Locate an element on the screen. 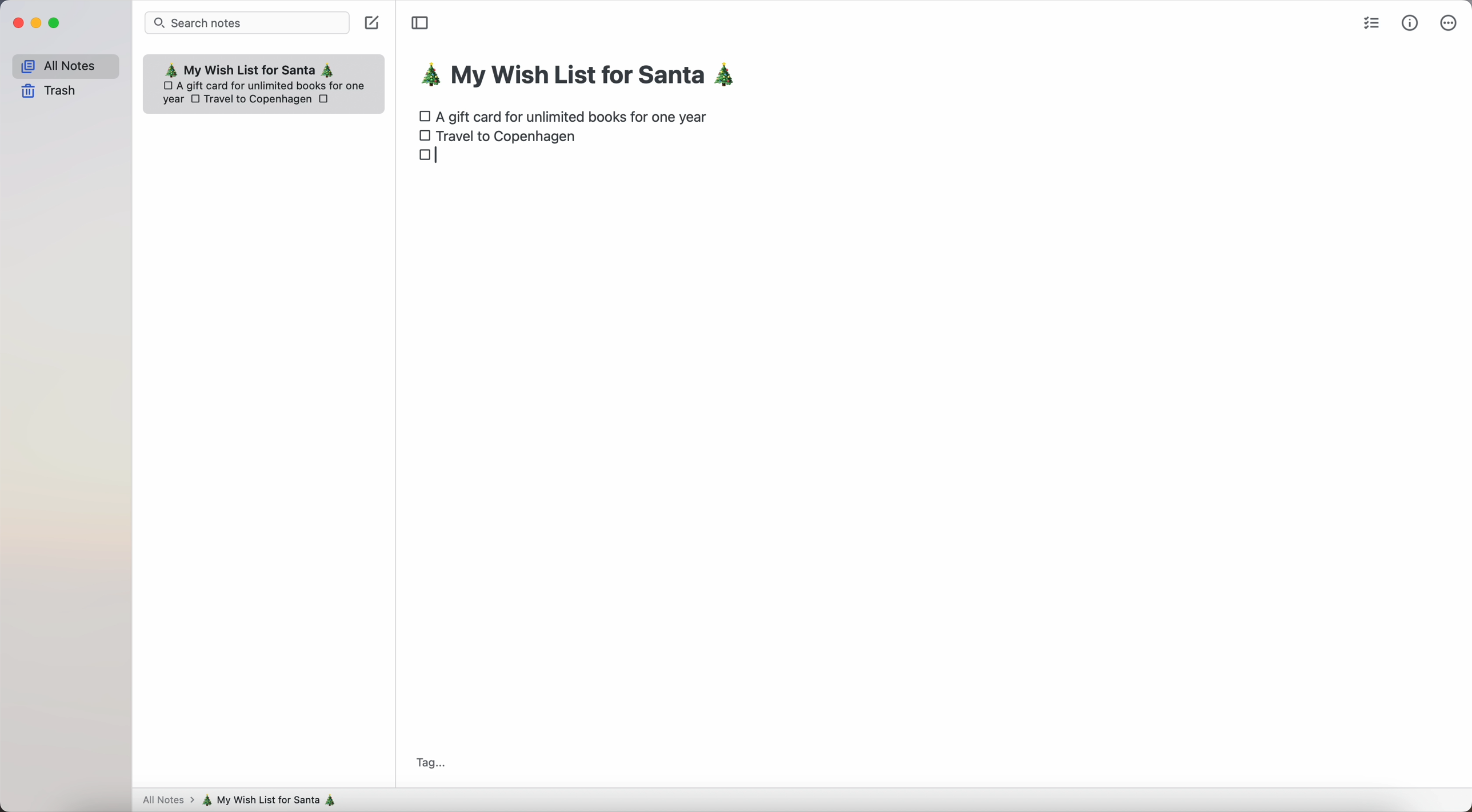  all notes is located at coordinates (166, 801).